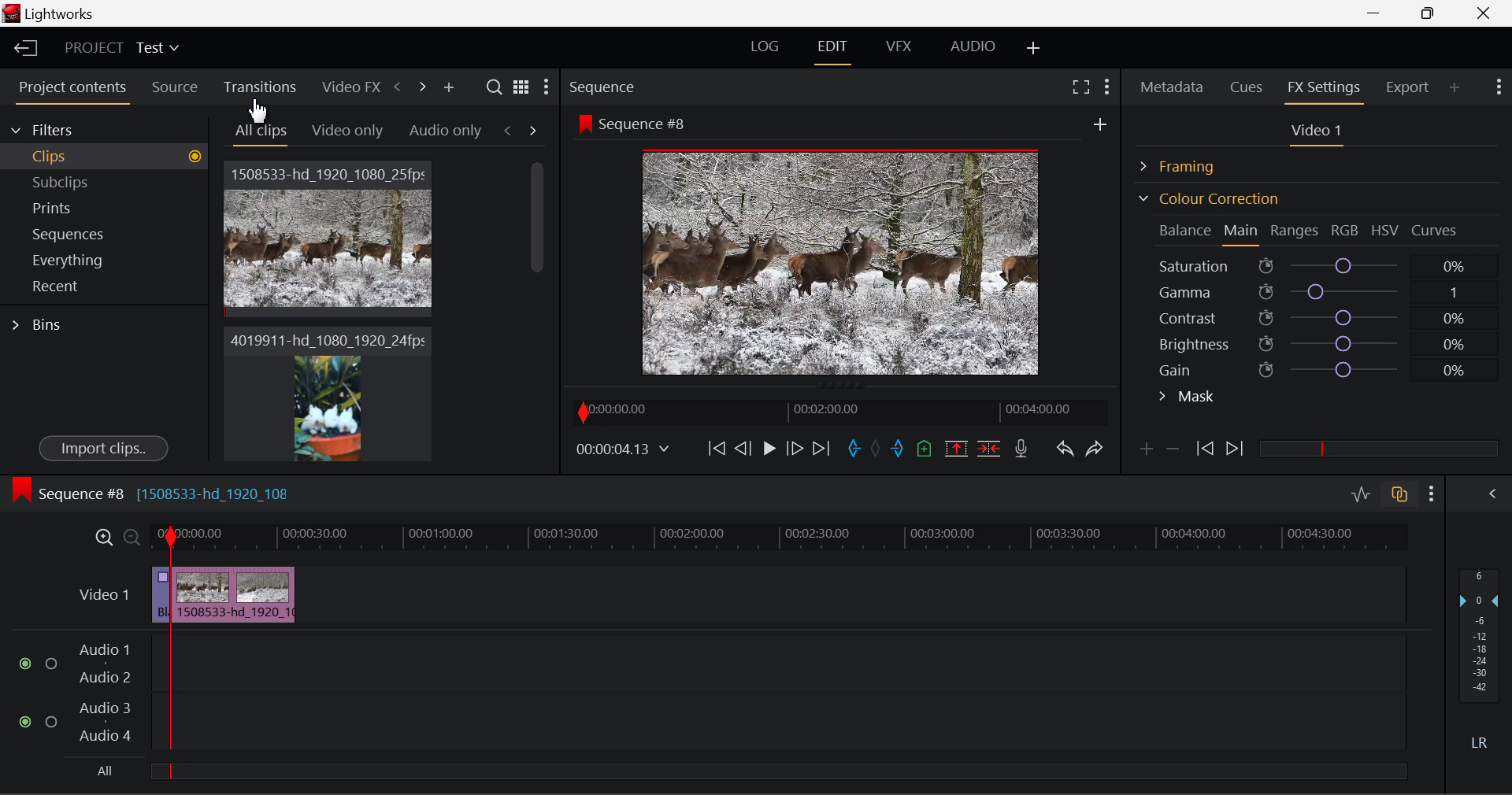 The height and width of the screenshot is (795, 1512). What do you see at coordinates (902, 48) in the screenshot?
I see `VFX Layout` at bounding box center [902, 48].